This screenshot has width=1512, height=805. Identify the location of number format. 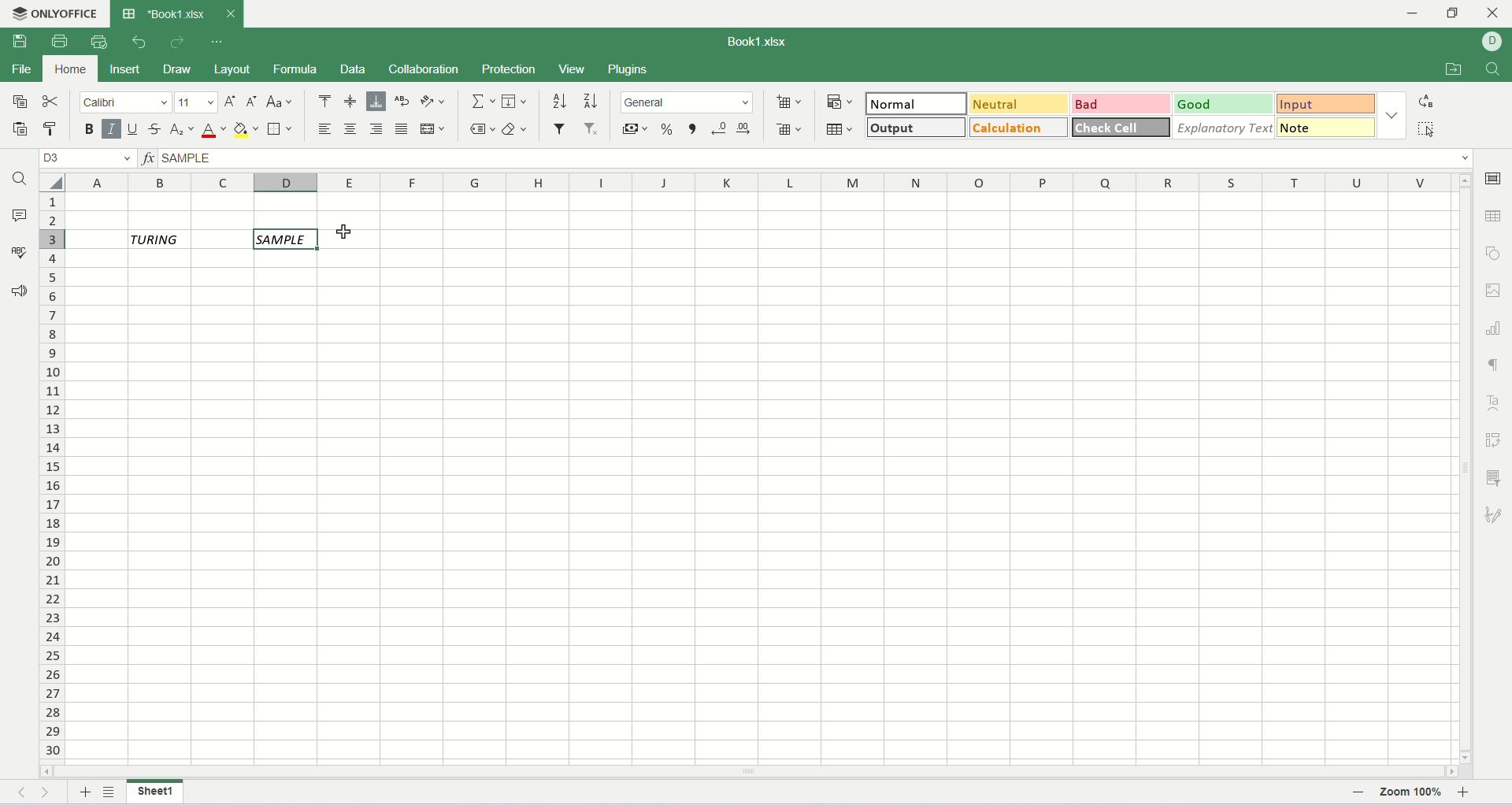
(687, 102).